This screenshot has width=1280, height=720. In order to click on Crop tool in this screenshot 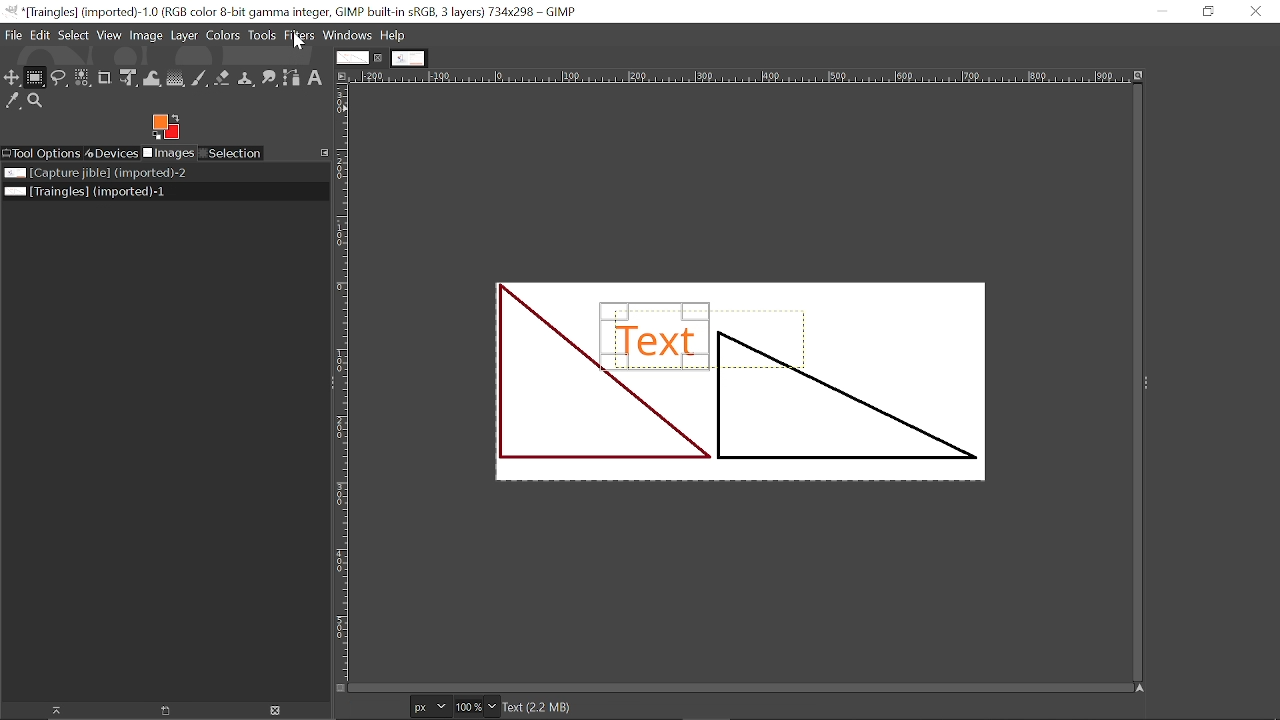, I will do `click(106, 79)`.